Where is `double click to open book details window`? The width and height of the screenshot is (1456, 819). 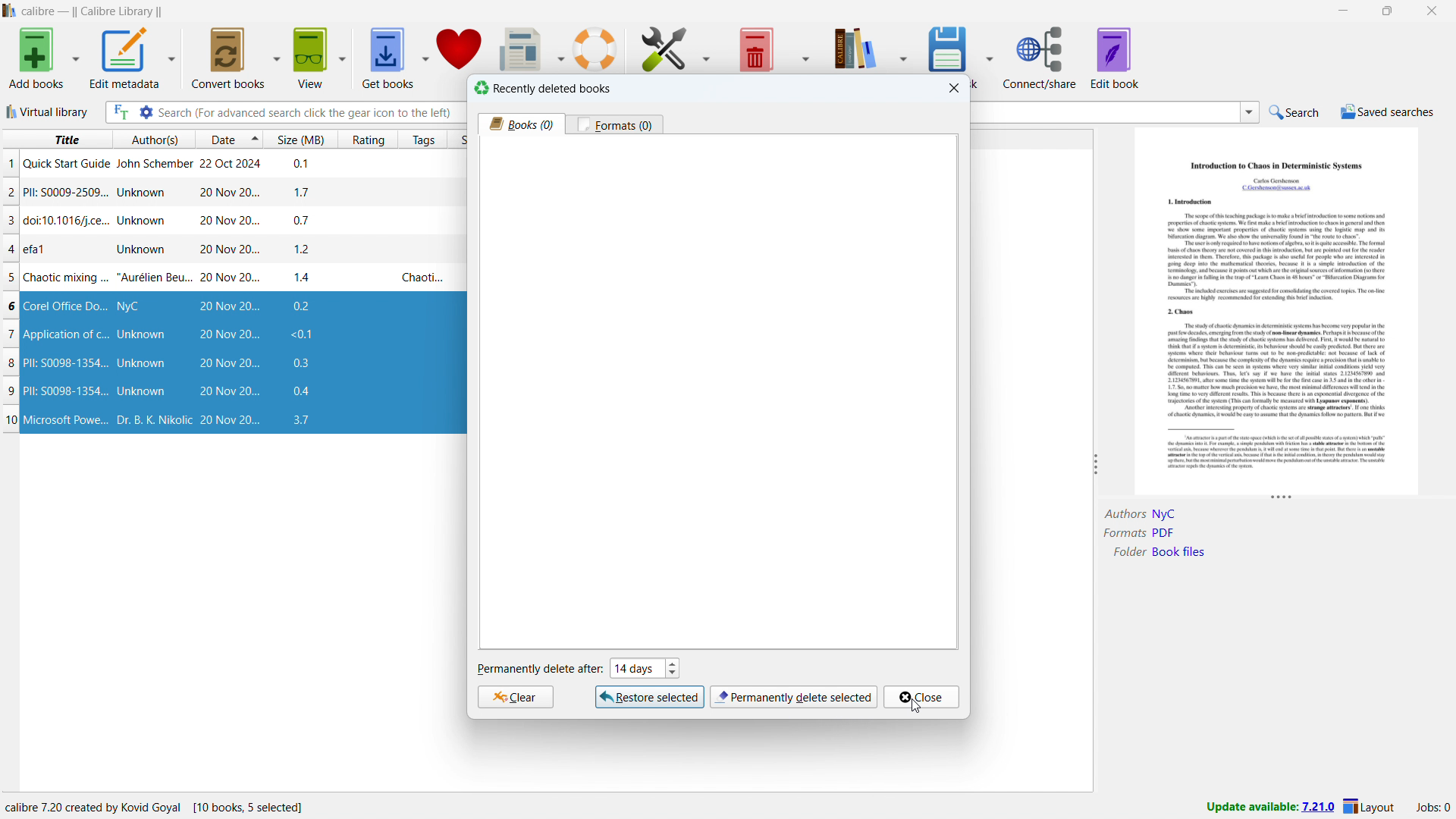 double click to open book details window is located at coordinates (1279, 309).